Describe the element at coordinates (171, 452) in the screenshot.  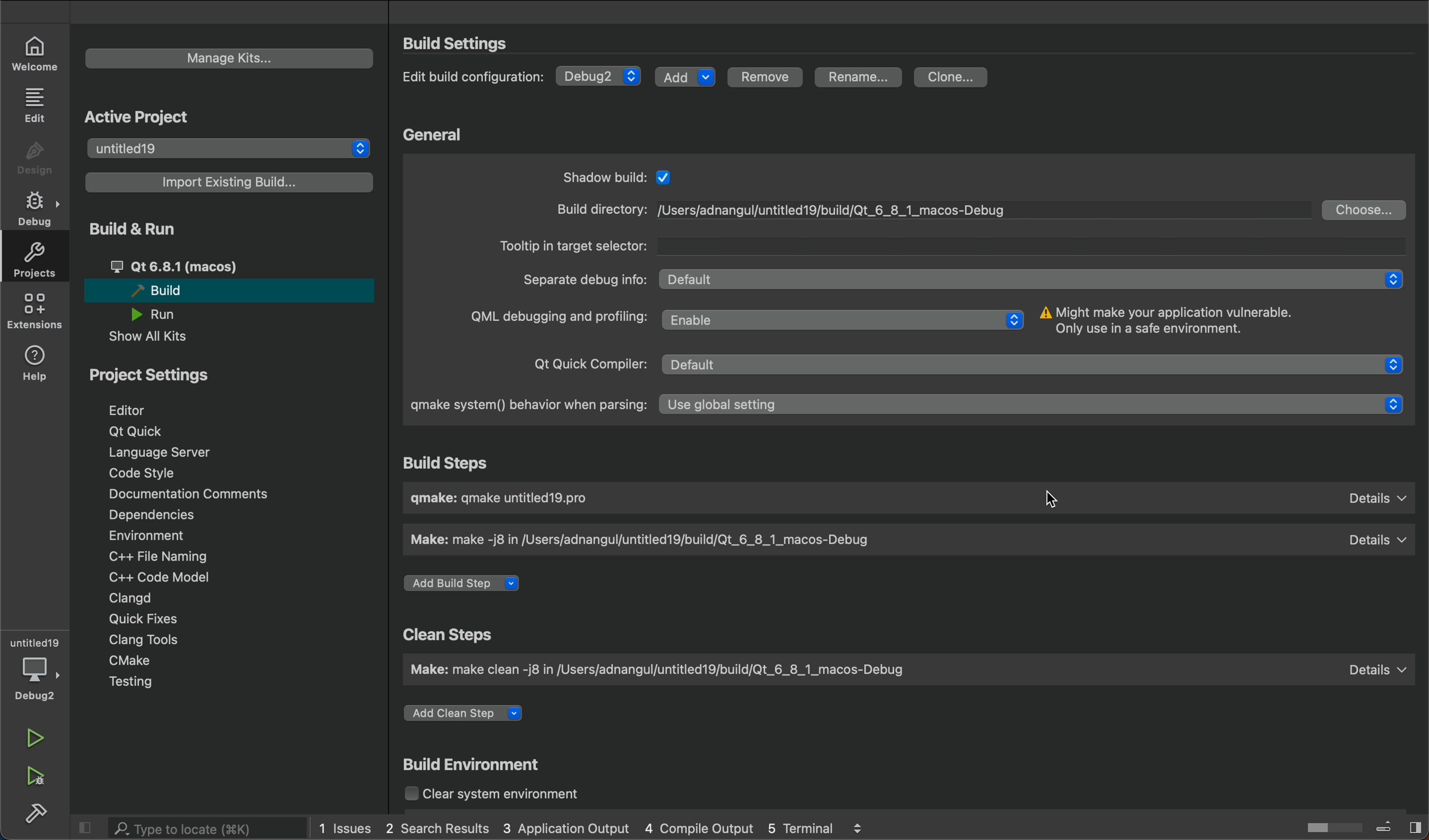
I see `language server` at that location.